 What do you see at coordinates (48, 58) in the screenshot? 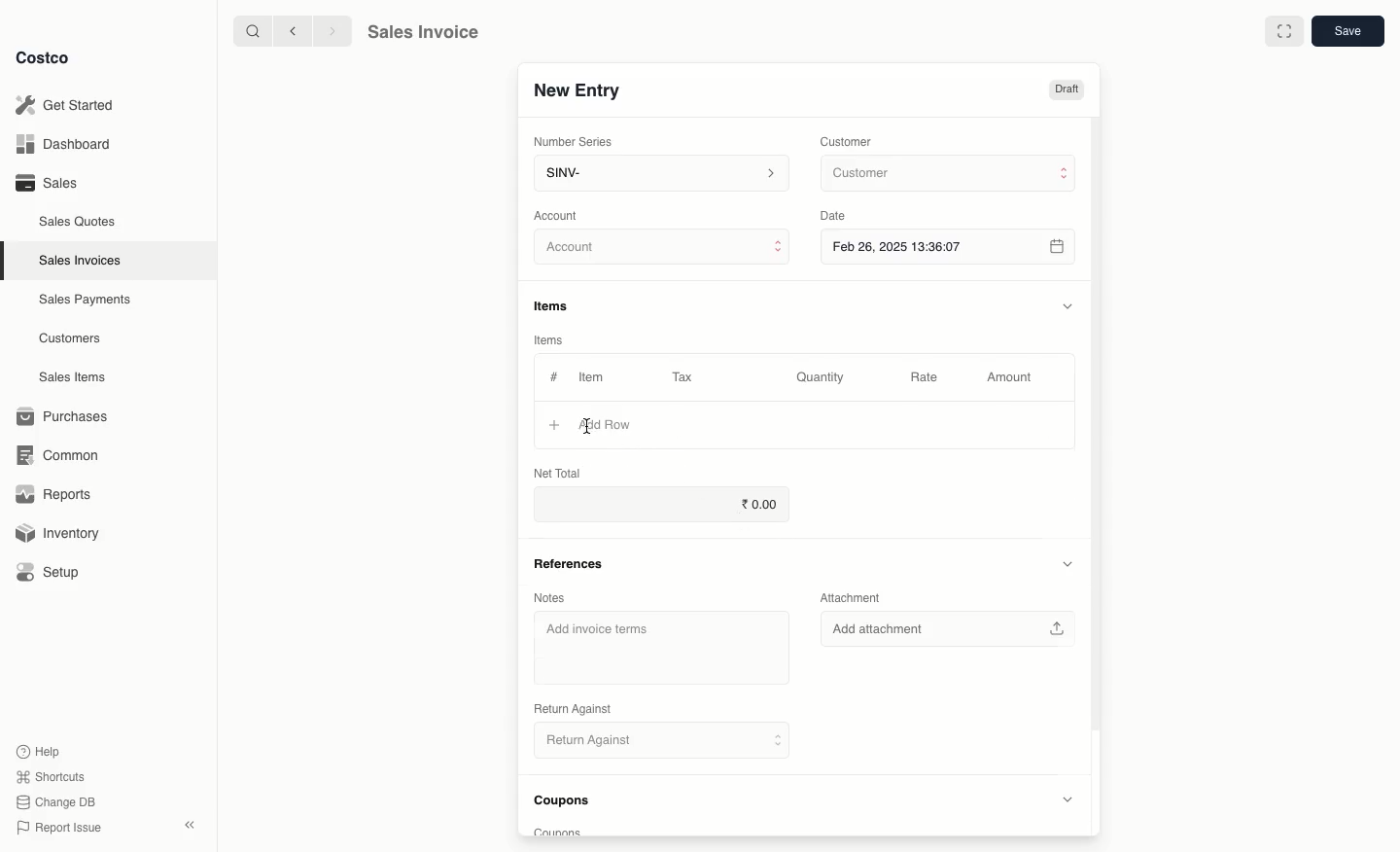
I see `Costco` at bounding box center [48, 58].